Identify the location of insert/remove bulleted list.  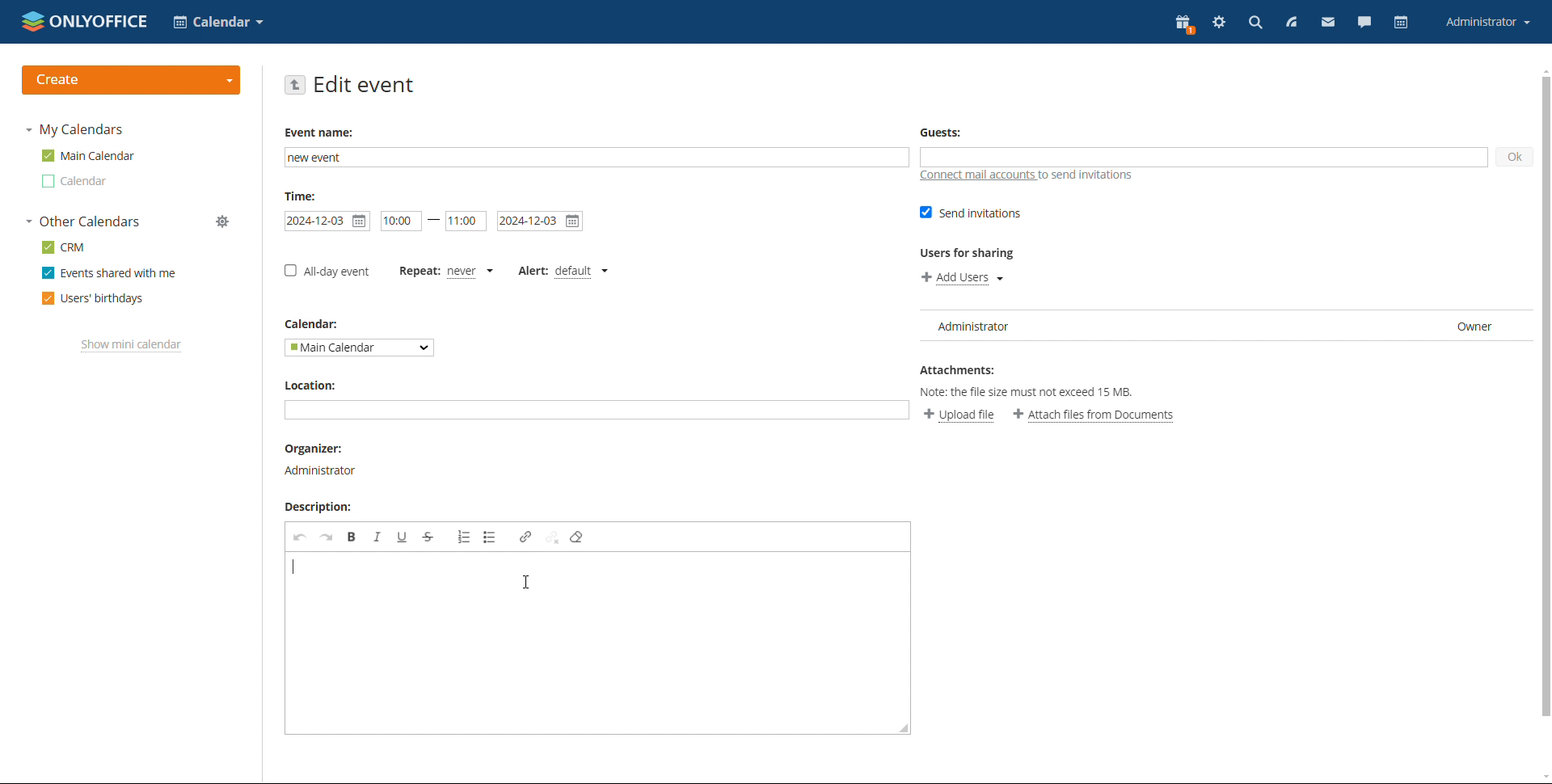
(492, 537).